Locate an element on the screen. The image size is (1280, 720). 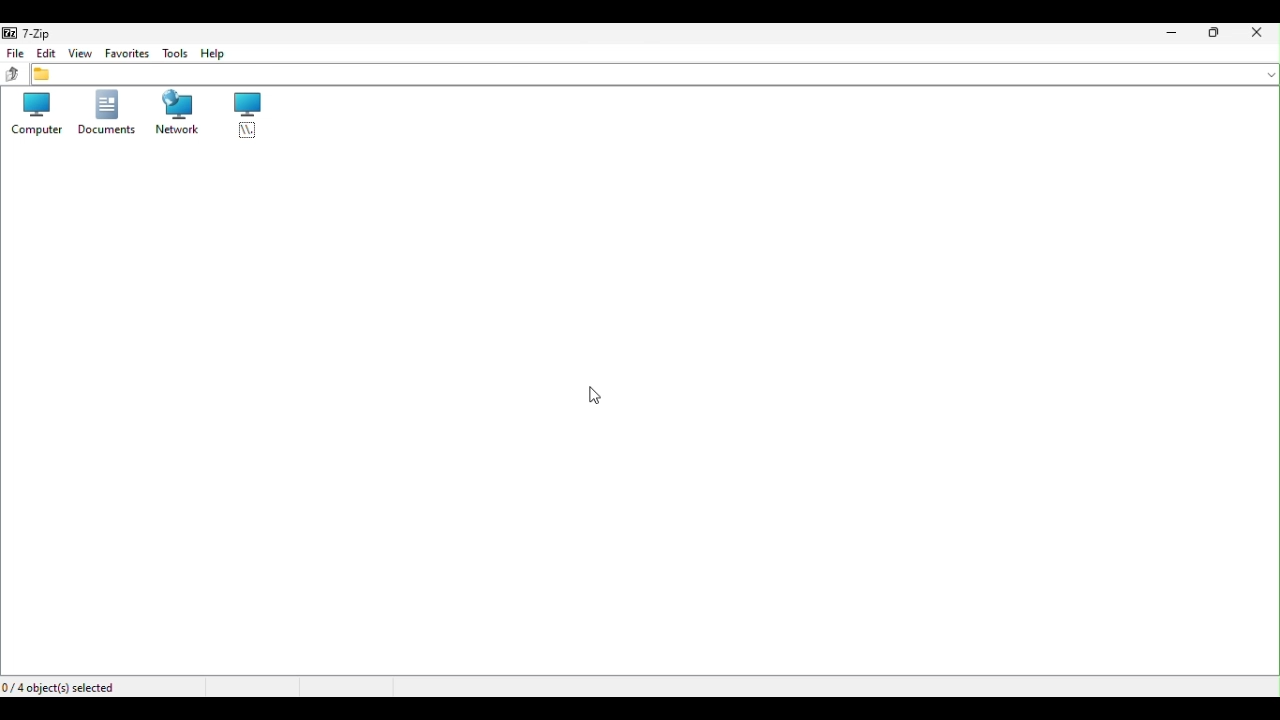
up is located at coordinates (16, 76).